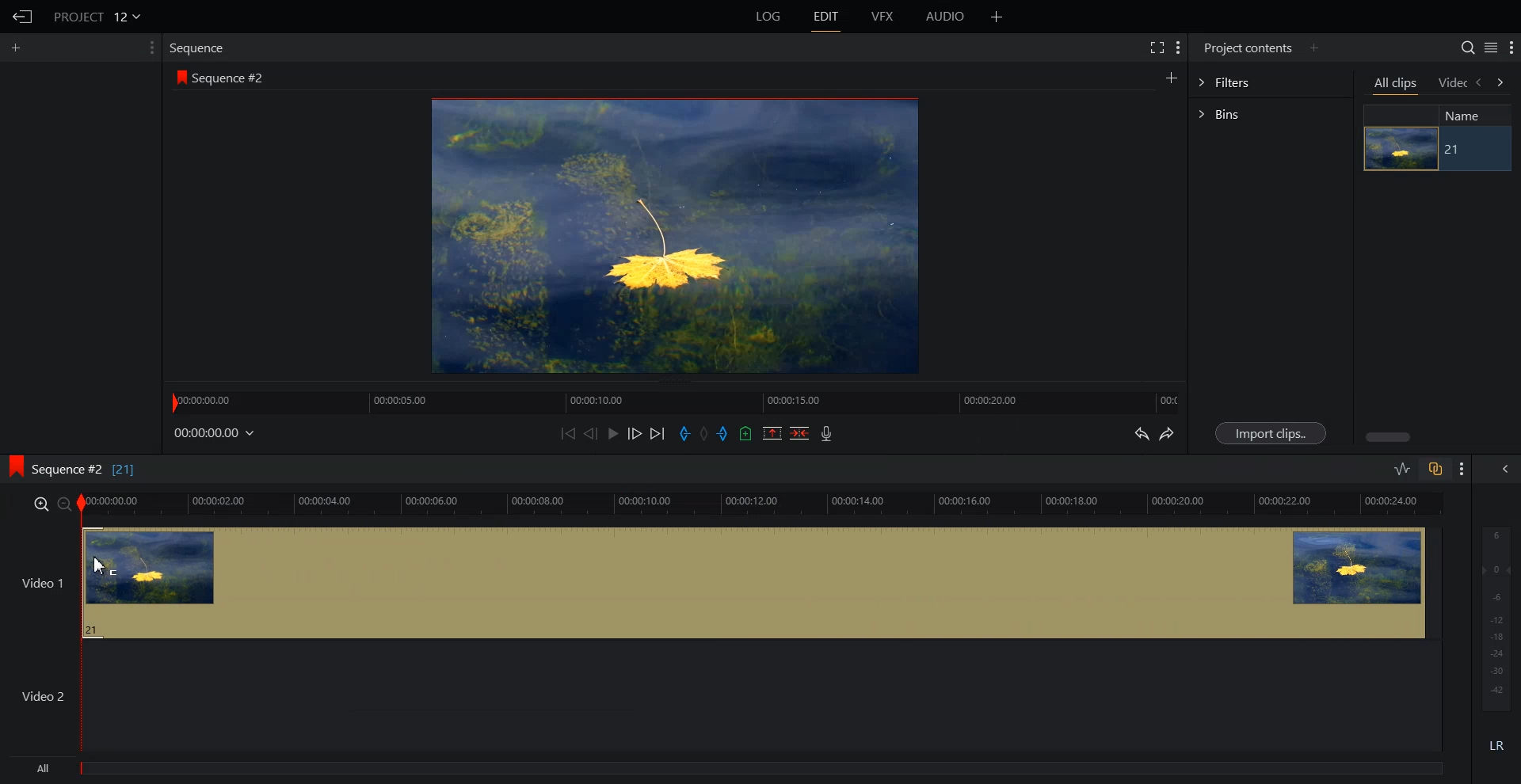 The width and height of the screenshot is (1521, 784). What do you see at coordinates (746, 432) in the screenshot?
I see `Add Cue in the current video` at bounding box center [746, 432].